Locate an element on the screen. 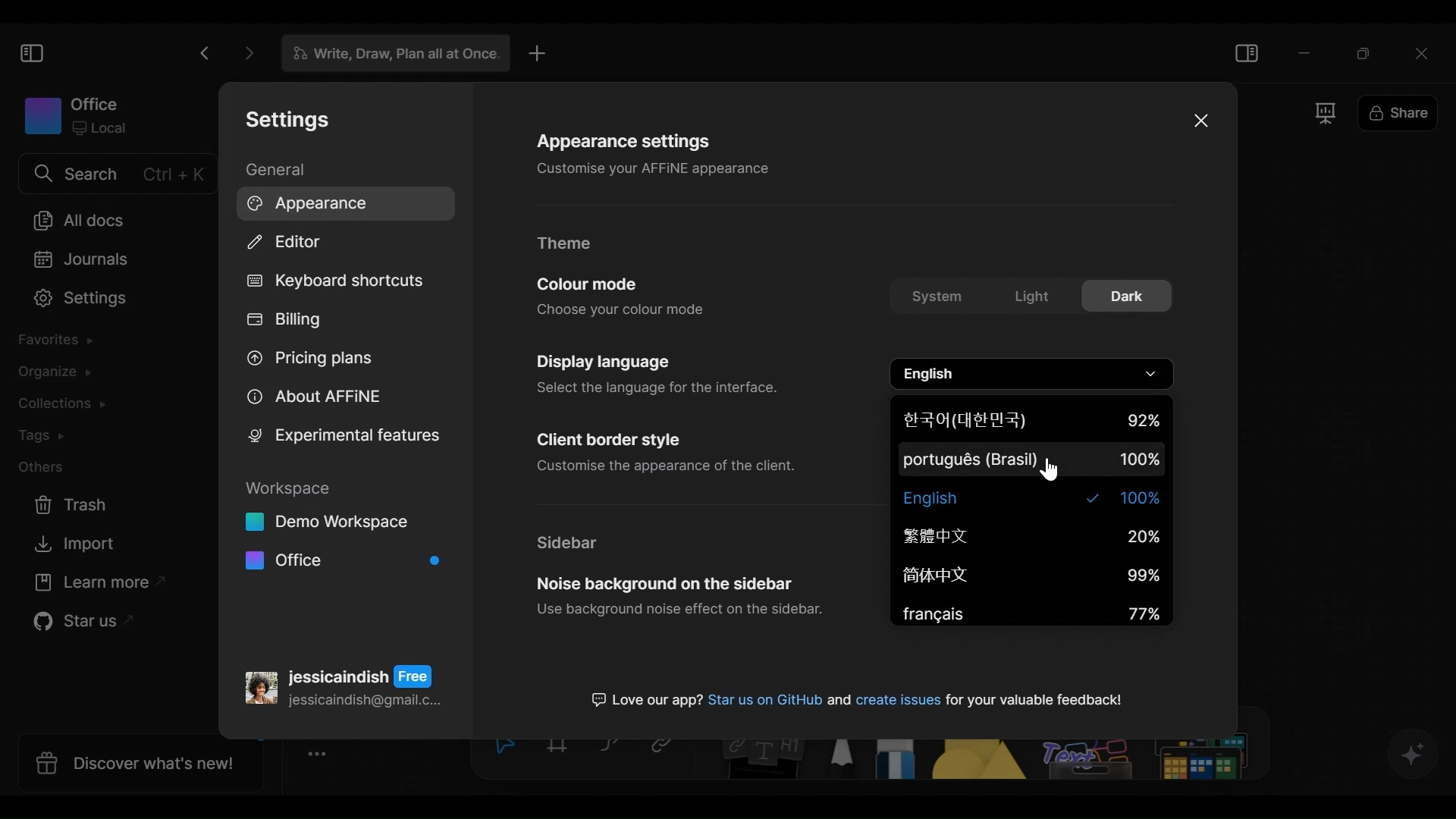  AFFiNE AI is located at coordinates (1414, 755).